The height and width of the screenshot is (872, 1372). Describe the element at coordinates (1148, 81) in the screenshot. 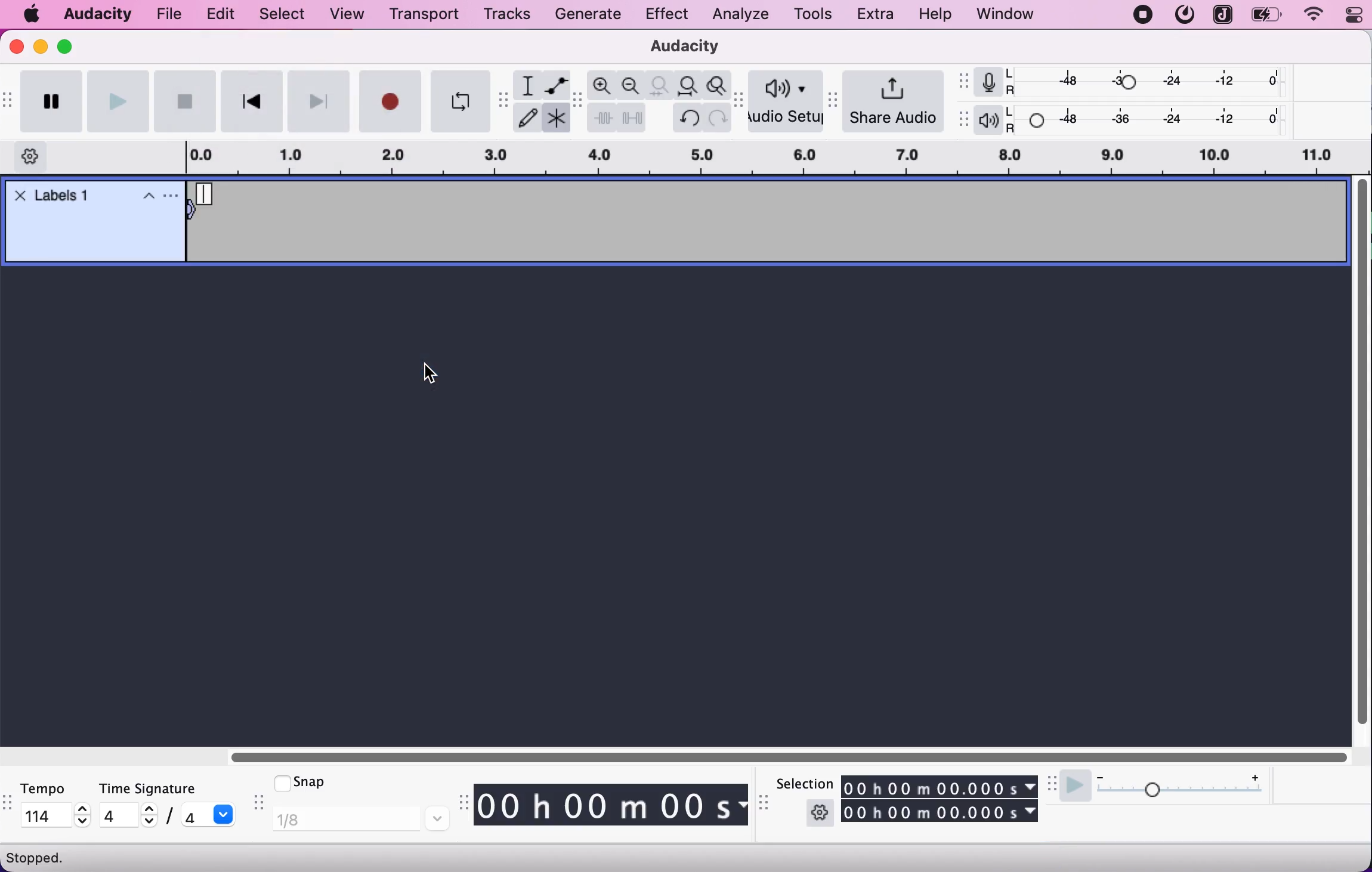

I see `recording level` at that location.